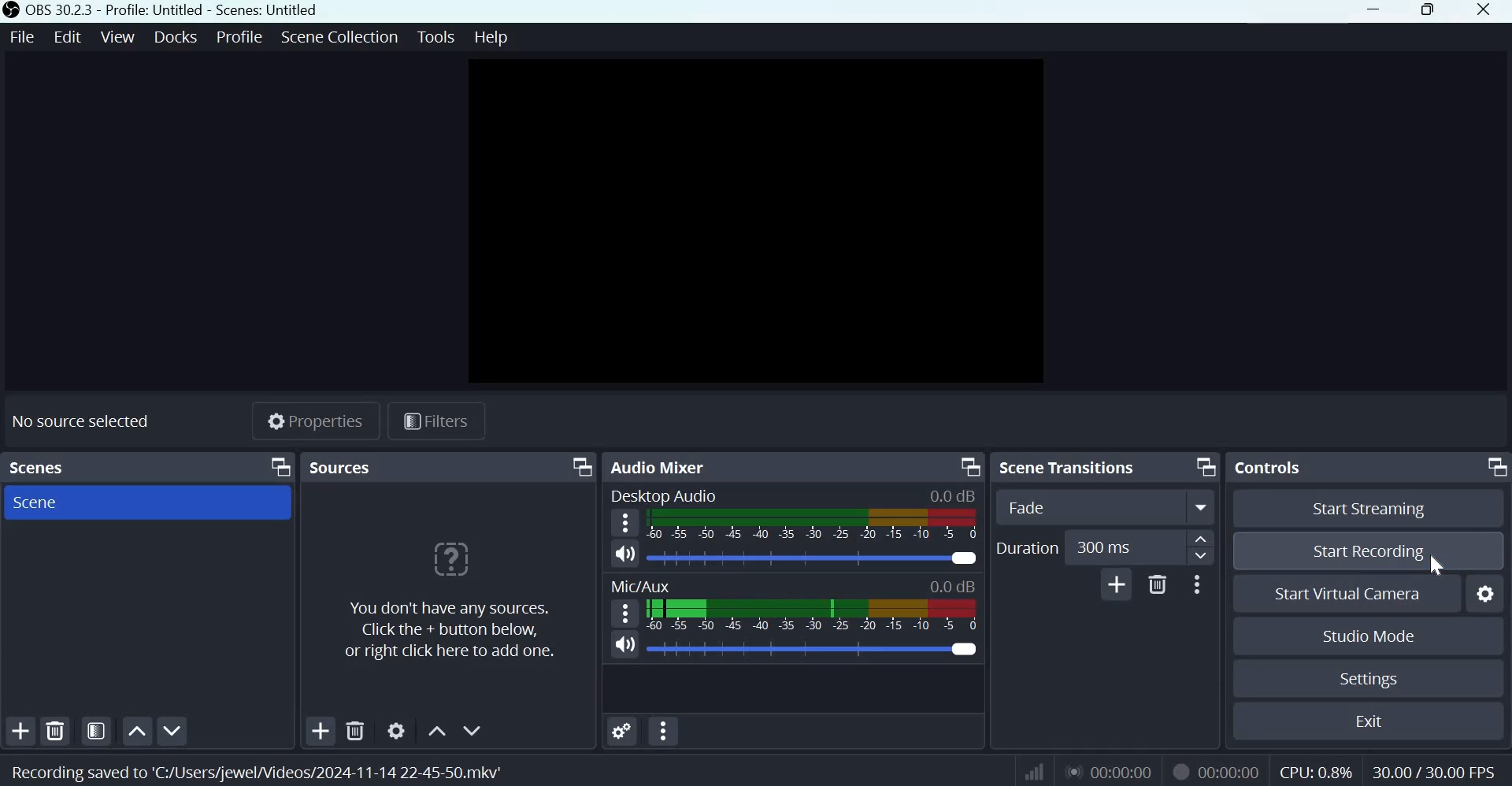 The image size is (1512, 786). What do you see at coordinates (1074, 467) in the screenshot?
I see `Scene transitions` at bounding box center [1074, 467].